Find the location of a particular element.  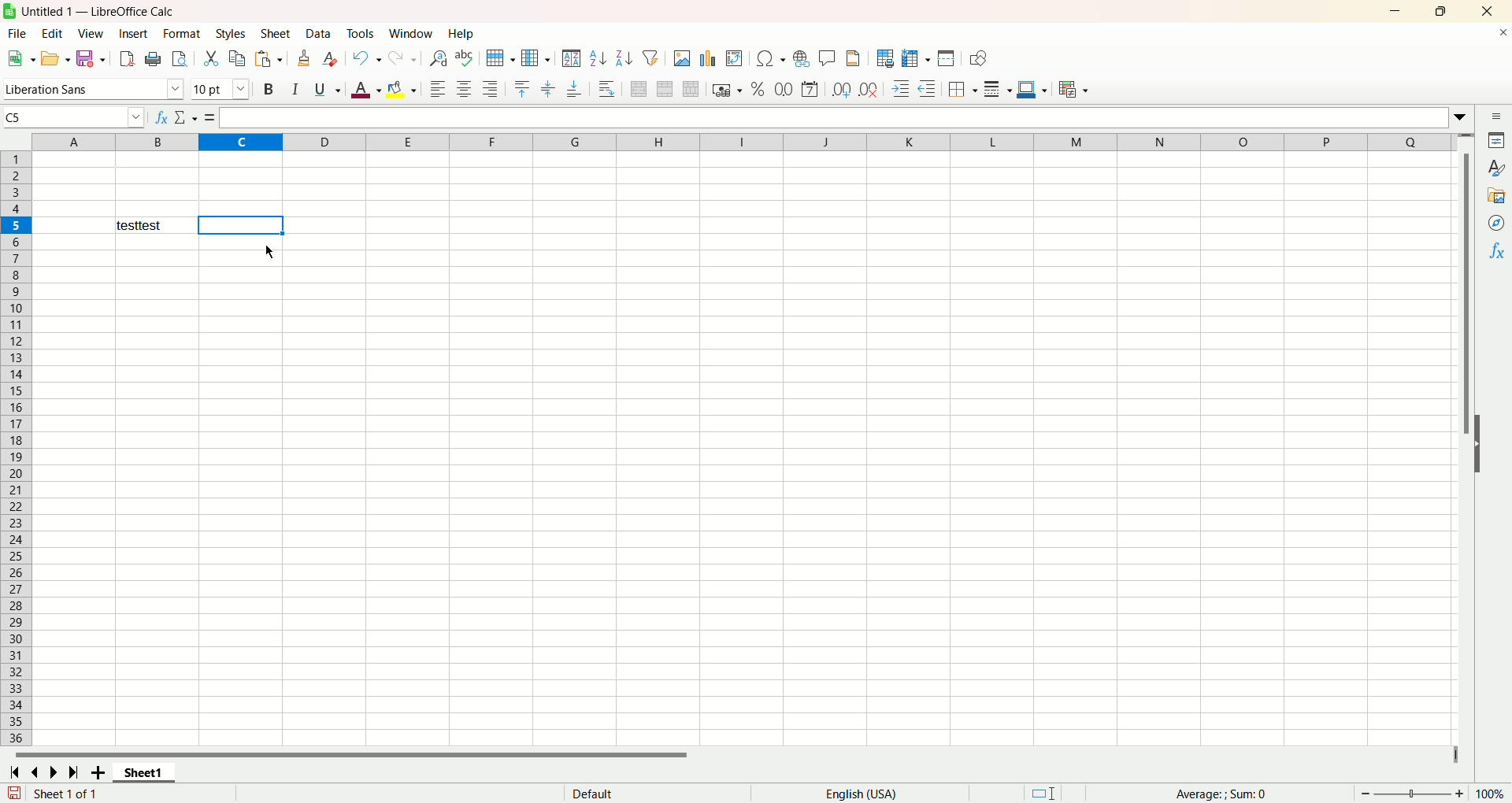

function wizard is located at coordinates (161, 115).